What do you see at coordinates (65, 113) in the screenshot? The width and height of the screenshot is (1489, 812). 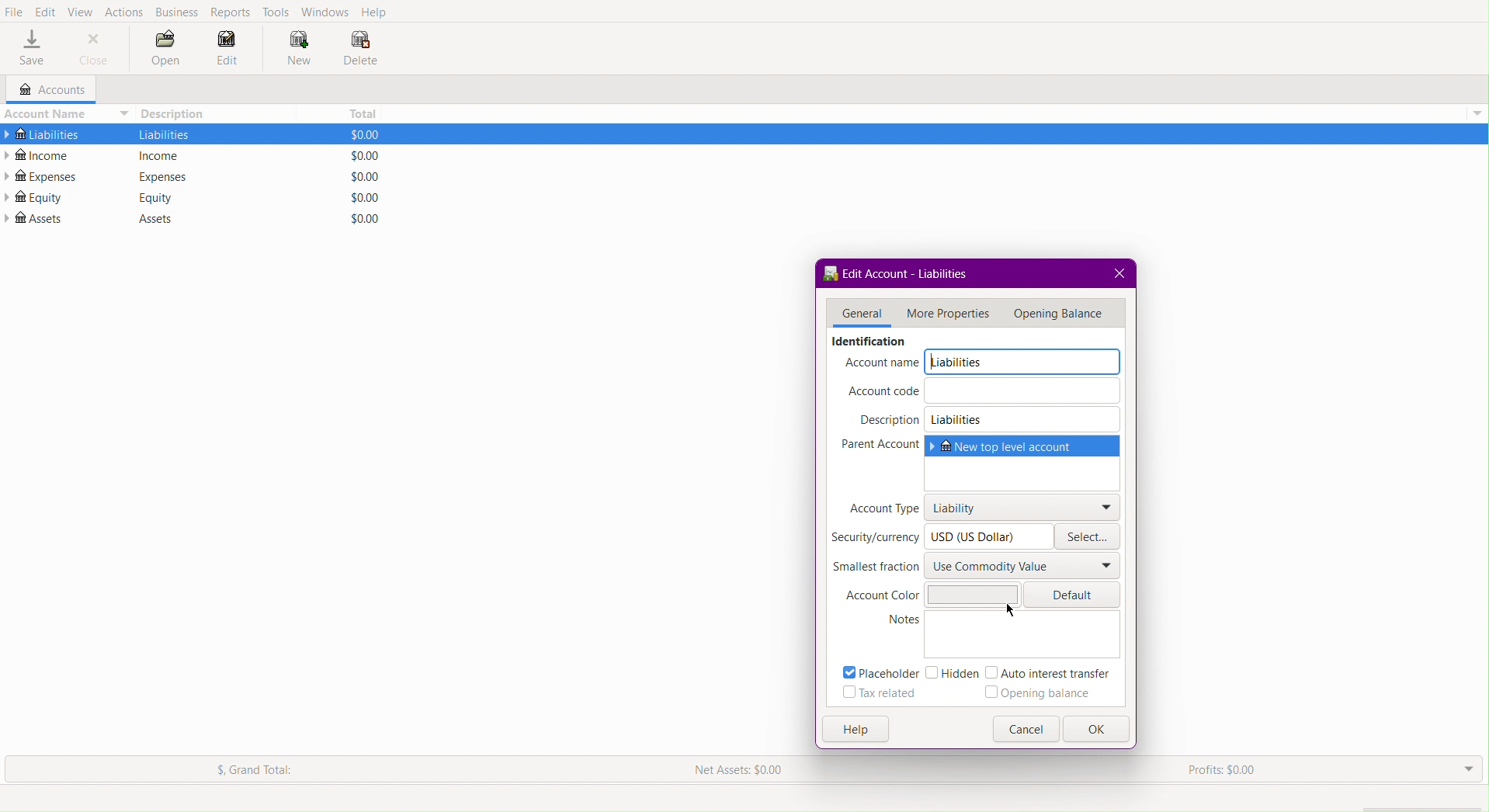 I see `Account Name` at bounding box center [65, 113].